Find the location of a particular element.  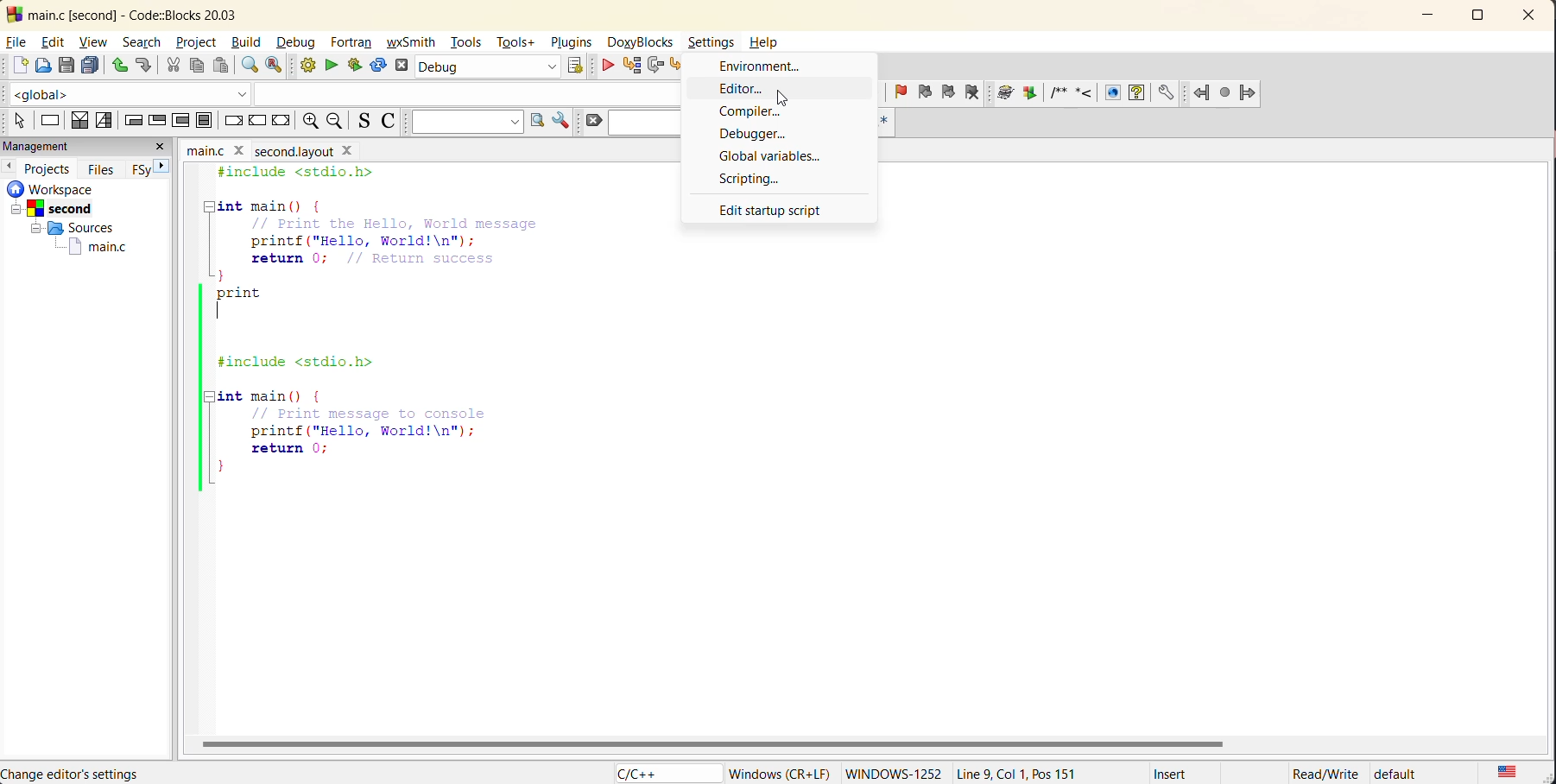

horizontal scroll bar is located at coordinates (717, 742).